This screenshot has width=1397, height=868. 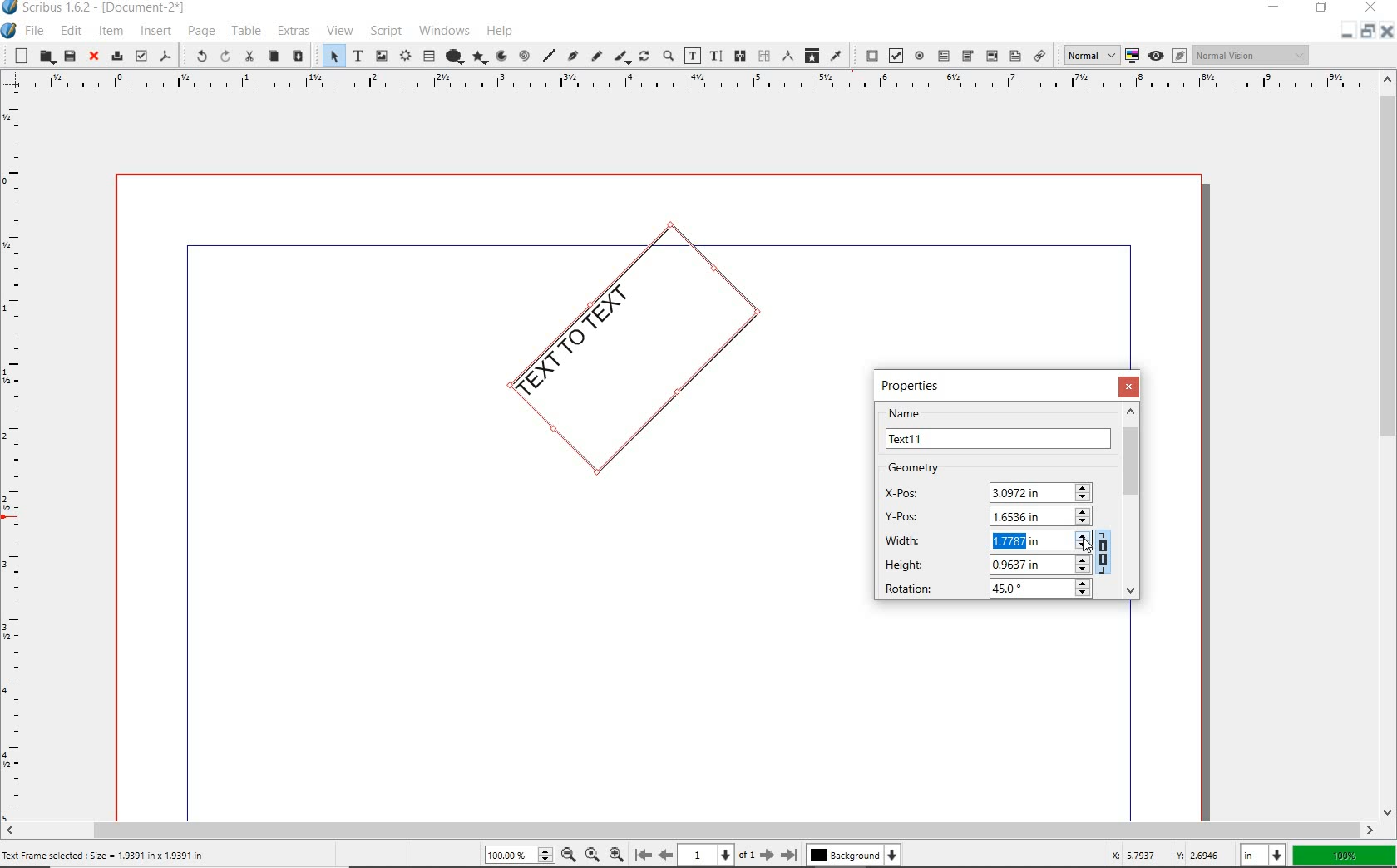 What do you see at coordinates (999, 428) in the screenshot?
I see `NAME` at bounding box center [999, 428].